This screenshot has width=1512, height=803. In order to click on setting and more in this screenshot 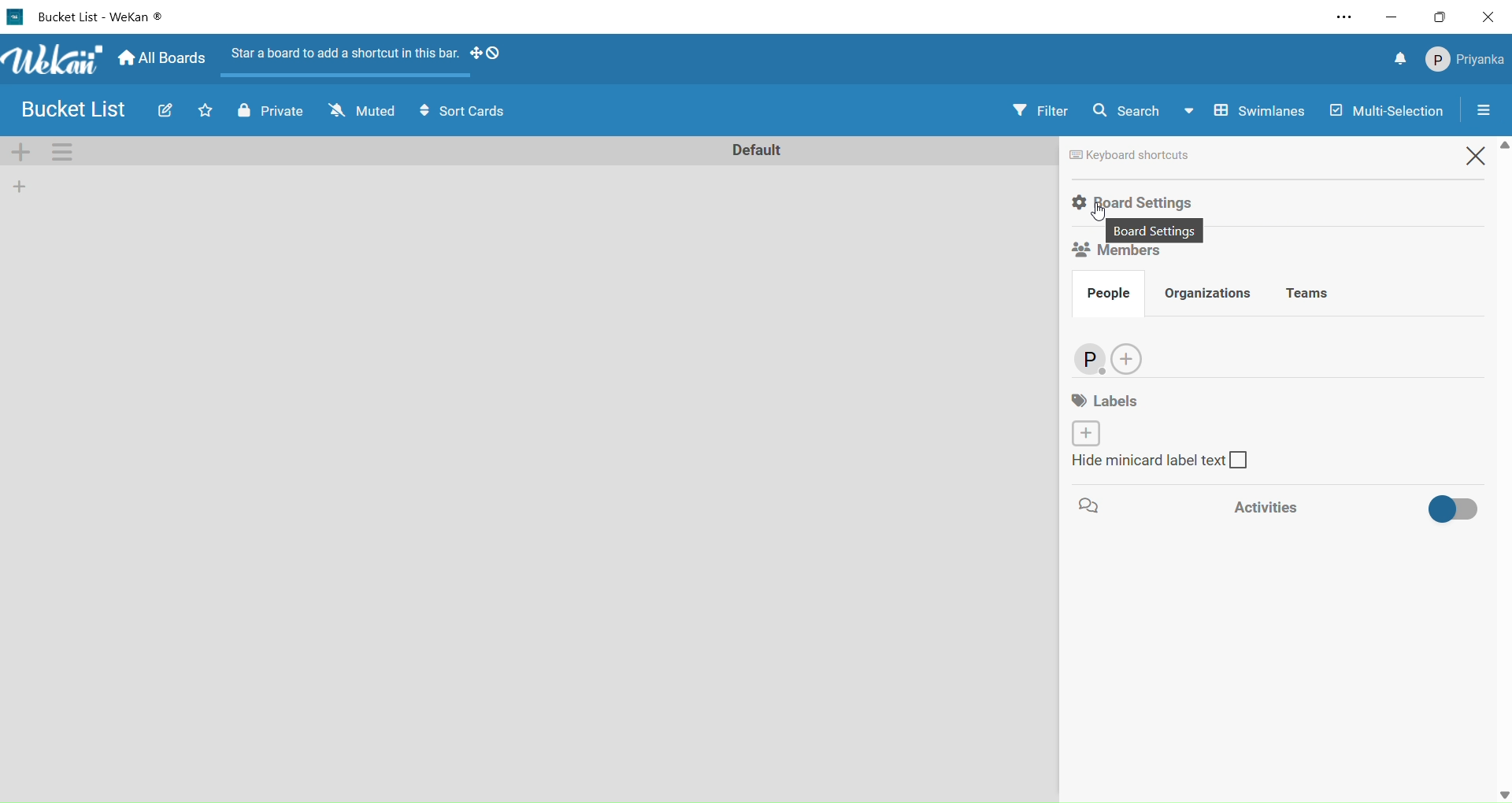, I will do `click(1344, 19)`.